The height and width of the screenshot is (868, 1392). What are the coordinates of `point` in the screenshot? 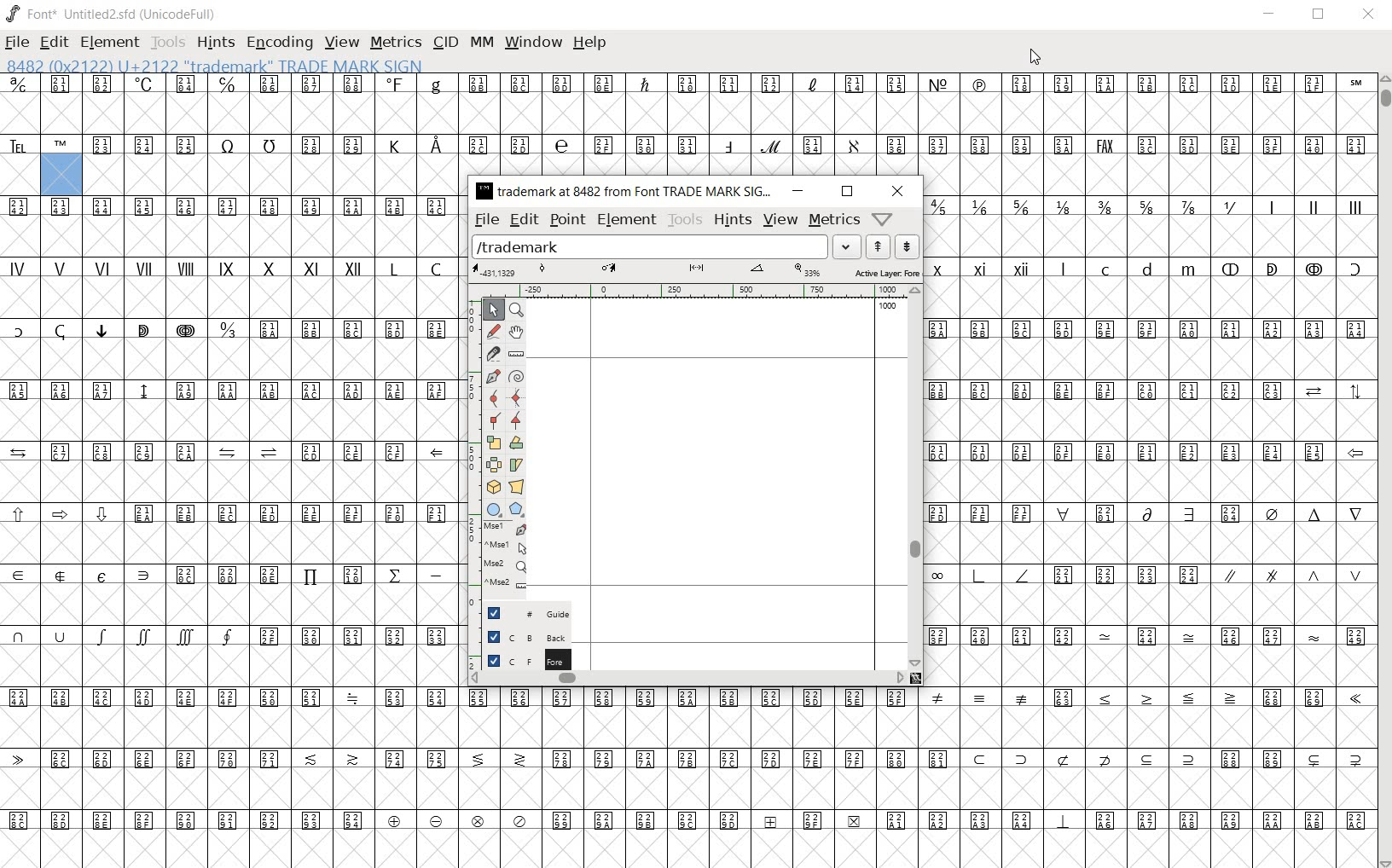 It's located at (567, 219).